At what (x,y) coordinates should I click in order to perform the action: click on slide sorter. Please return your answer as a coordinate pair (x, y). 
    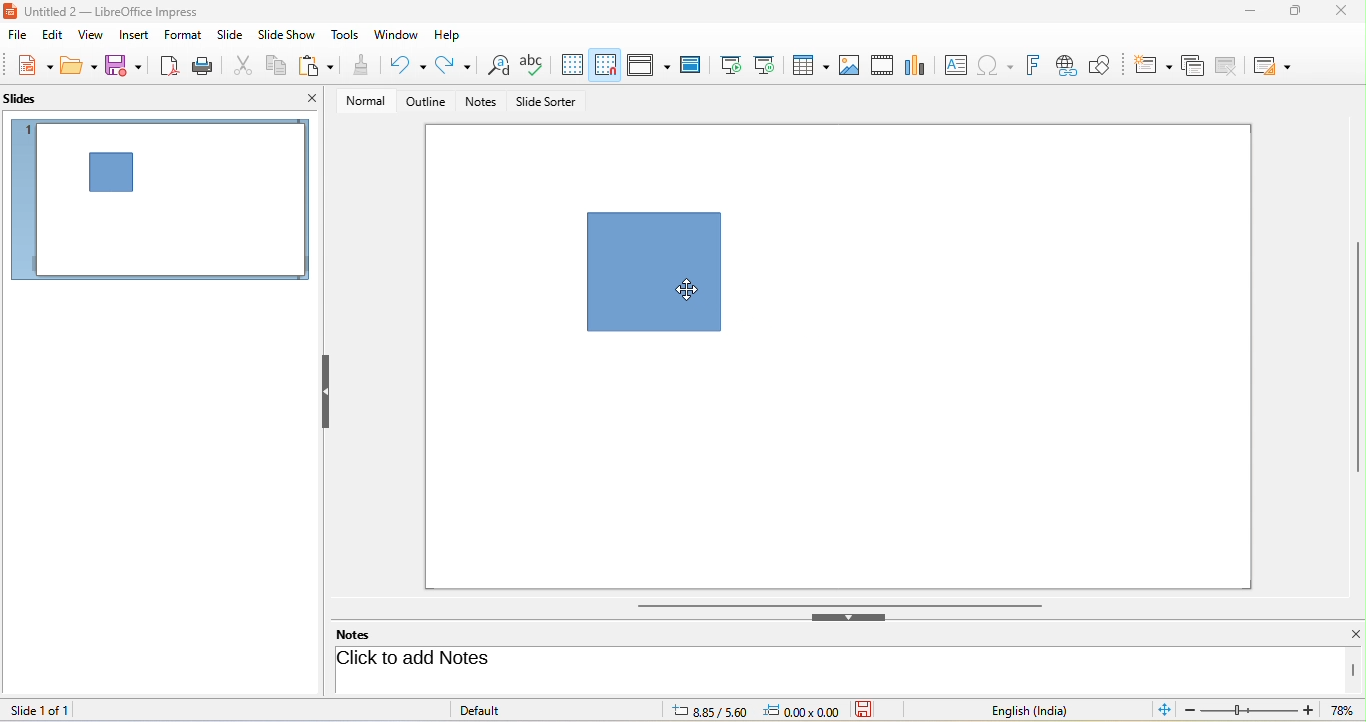
    Looking at the image, I should click on (546, 103).